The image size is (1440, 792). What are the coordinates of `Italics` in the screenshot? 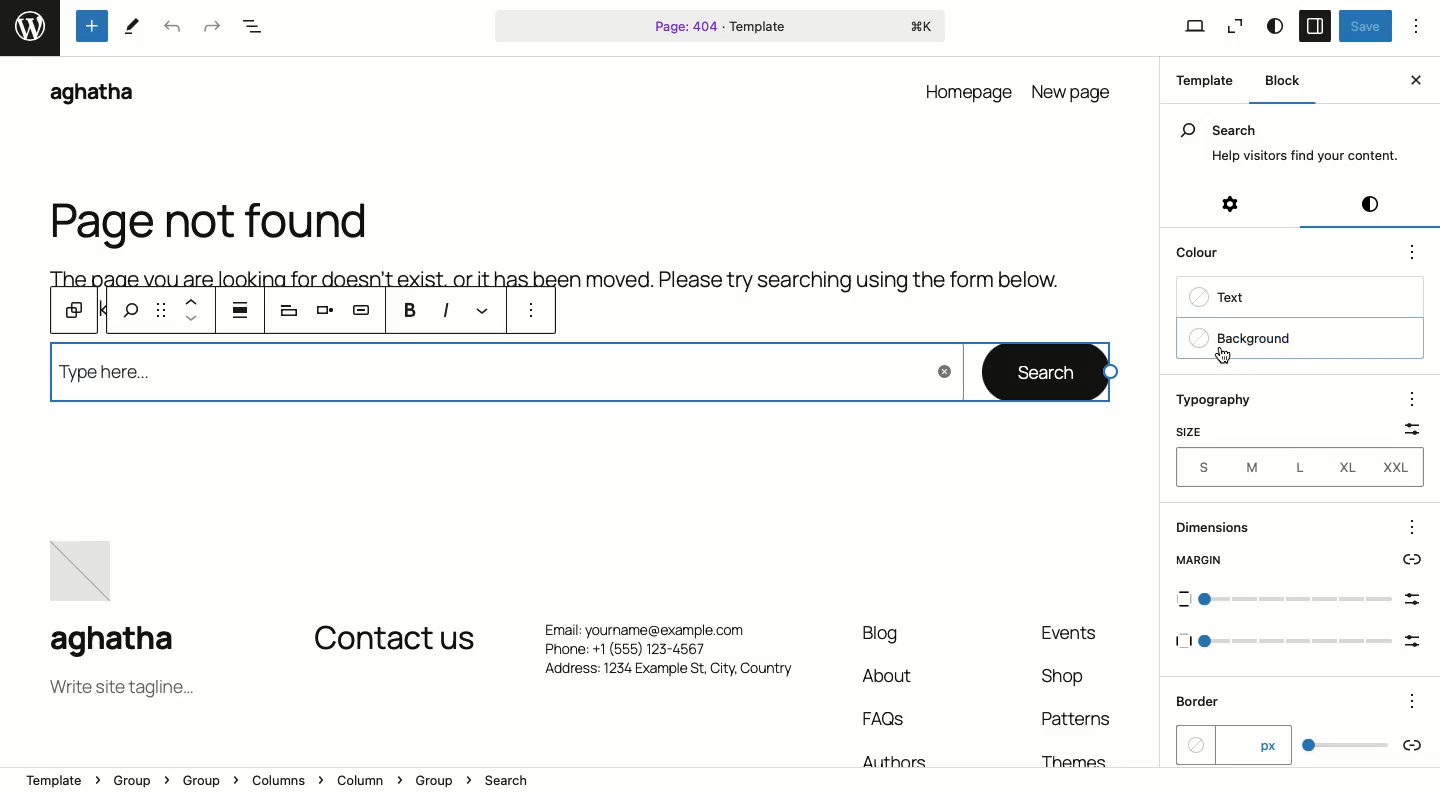 It's located at (448, 310).